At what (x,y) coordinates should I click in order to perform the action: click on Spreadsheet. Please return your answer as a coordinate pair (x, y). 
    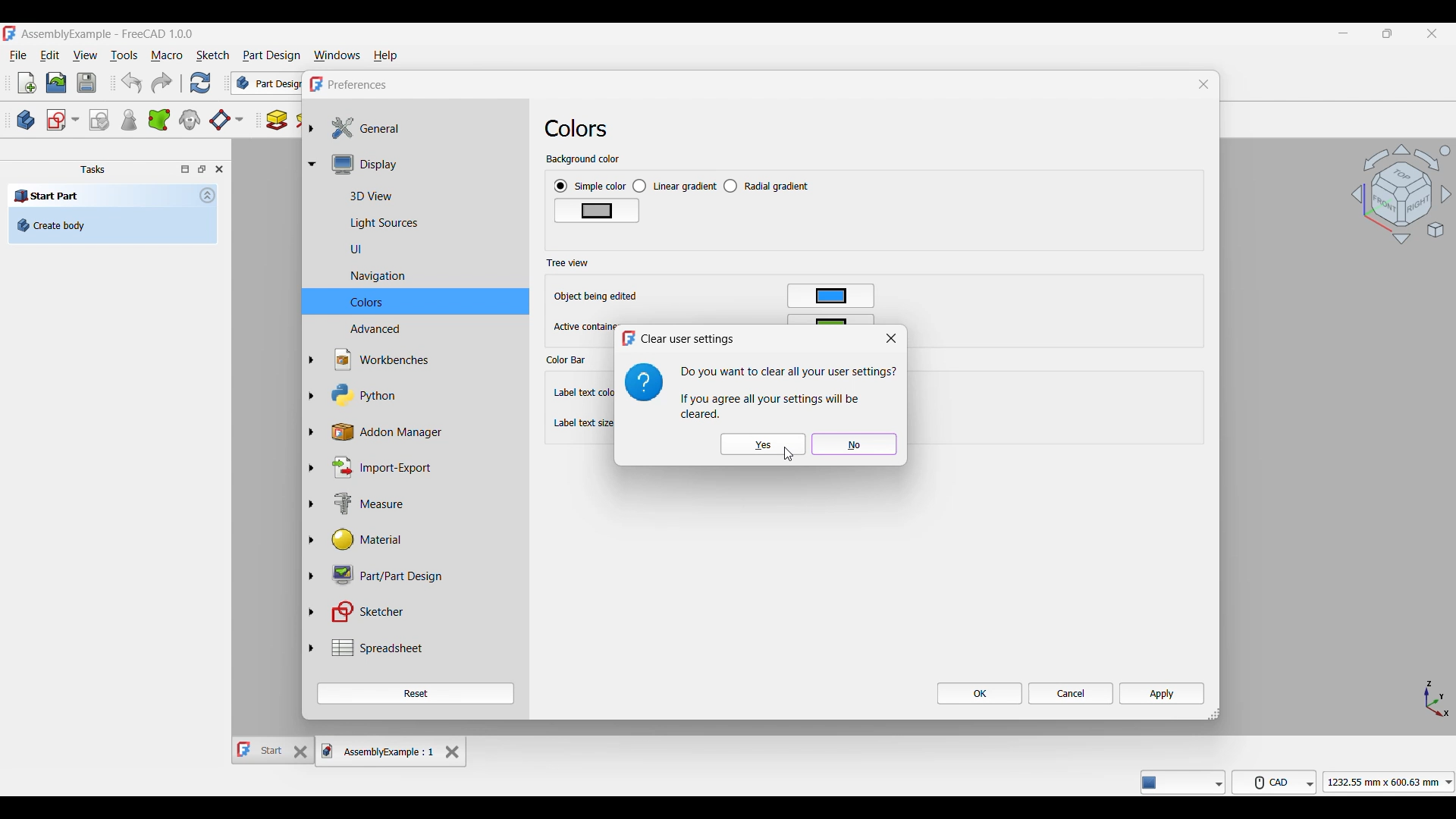
    Looking at the image, I should click on (365, 648).